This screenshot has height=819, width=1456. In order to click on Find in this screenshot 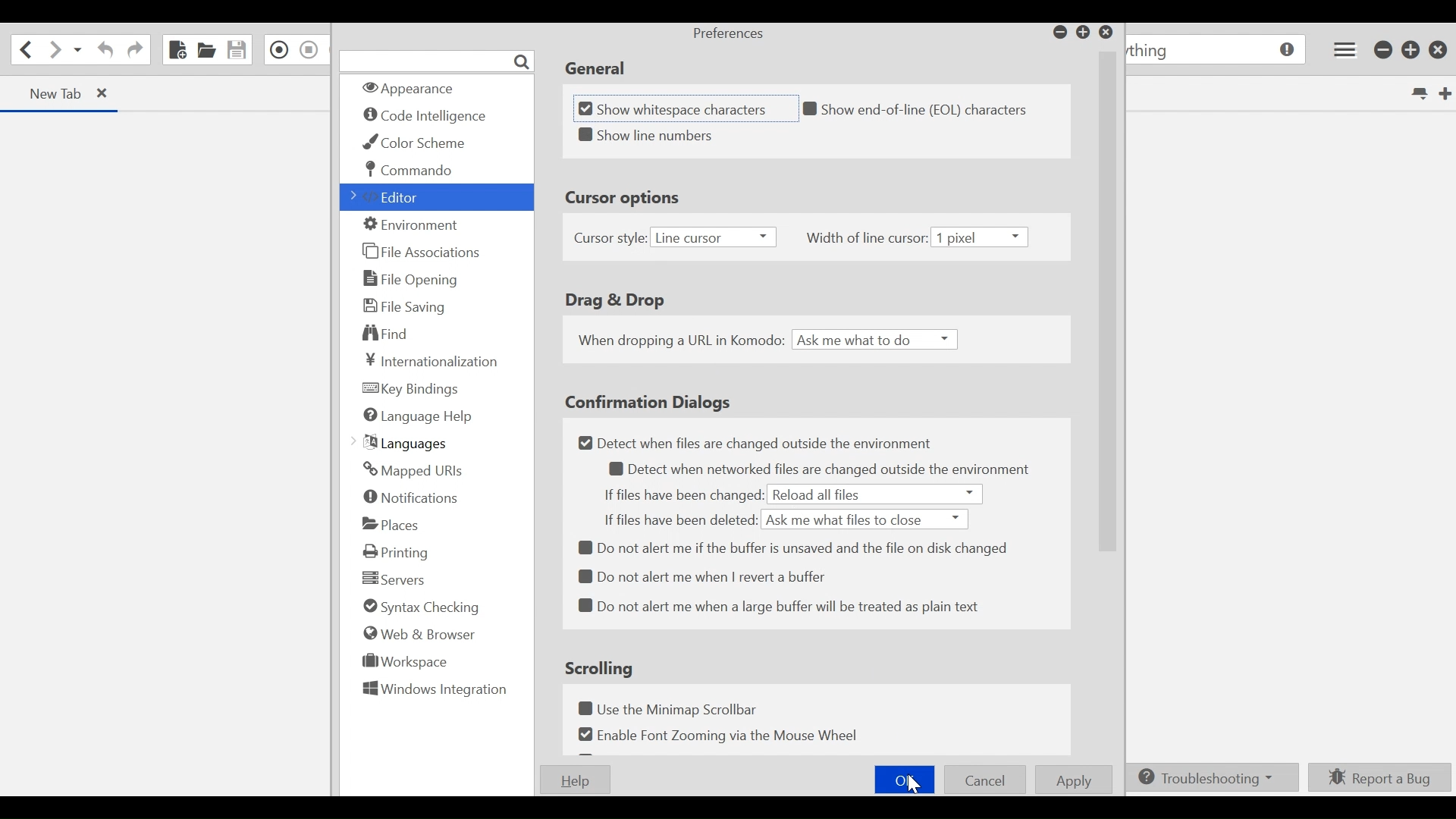, I will do `click(383, 333)`.